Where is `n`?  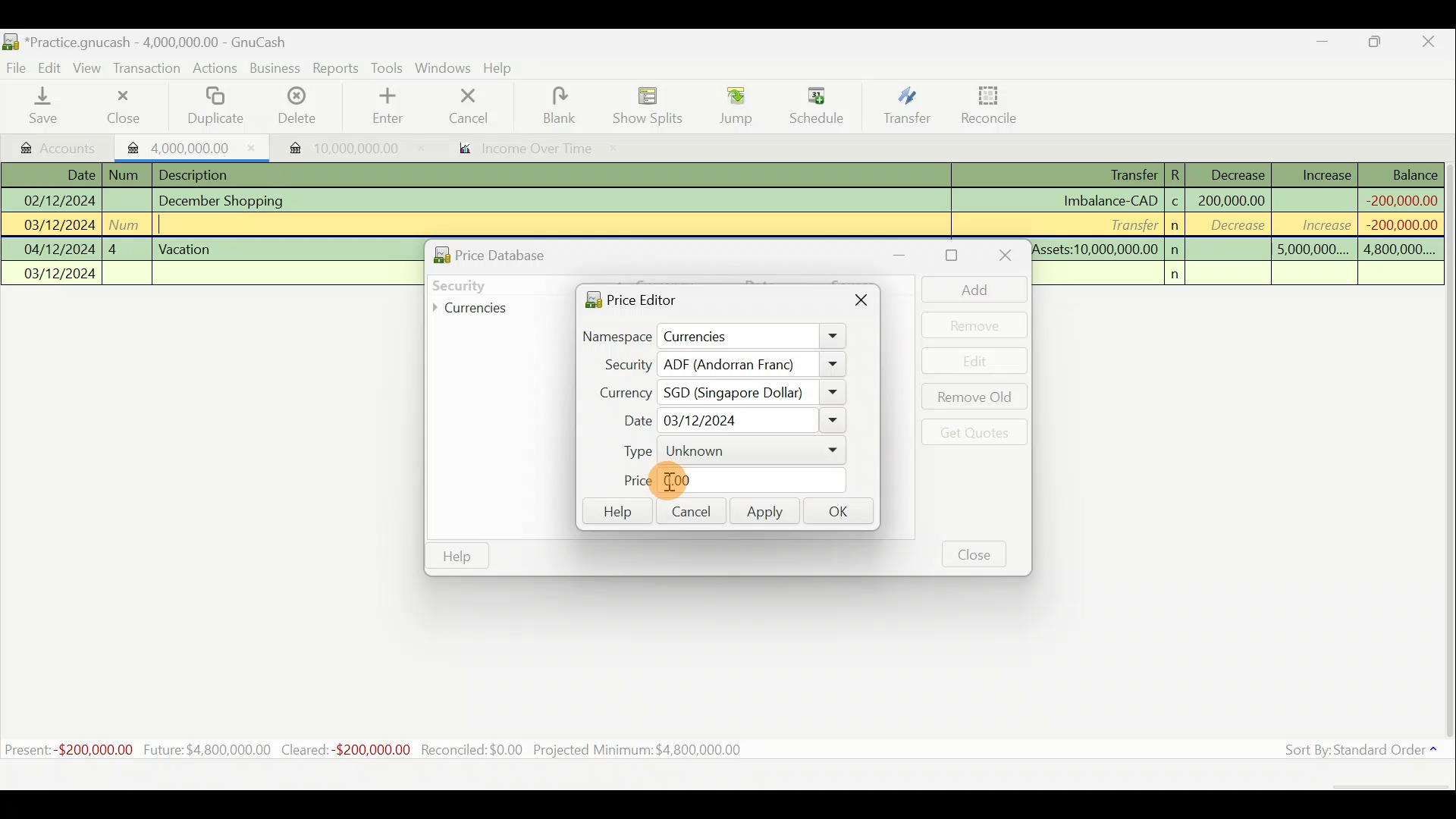
n is located at coordinates (1180, 275).